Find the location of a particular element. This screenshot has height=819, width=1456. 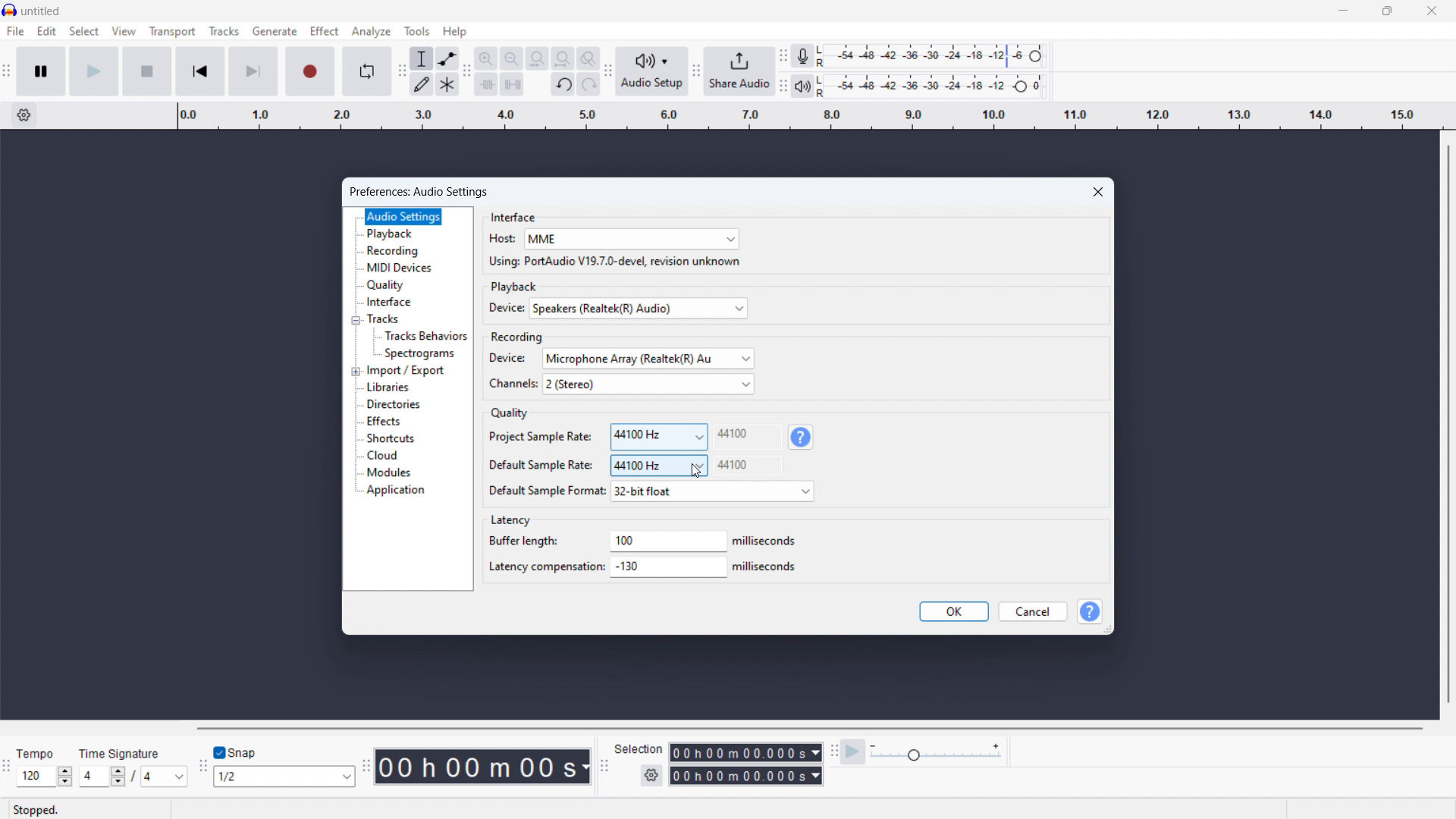

tracks is located at coordinates (384, 318).